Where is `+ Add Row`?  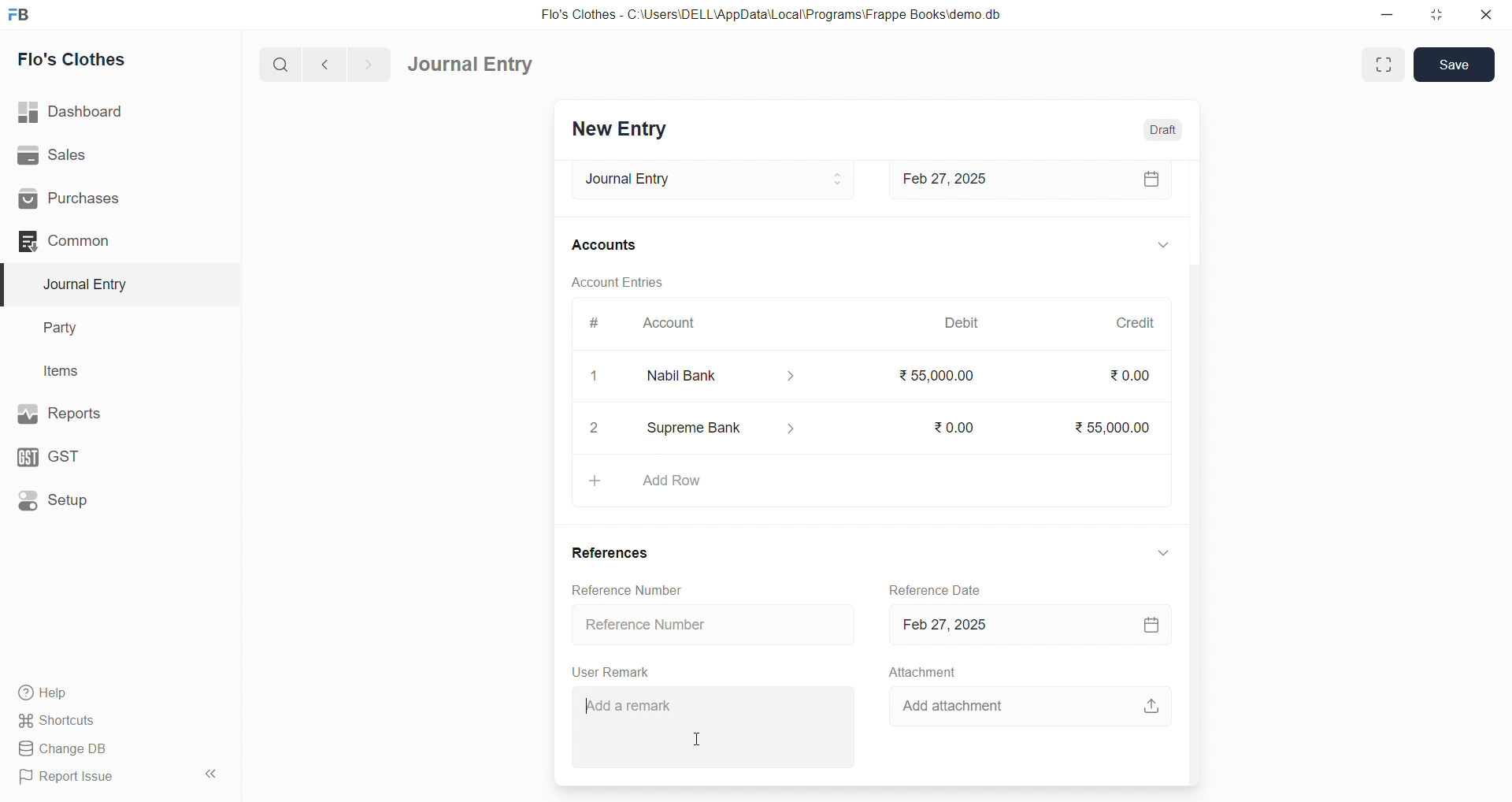 + Add Row is located at coordinates (869, 481).